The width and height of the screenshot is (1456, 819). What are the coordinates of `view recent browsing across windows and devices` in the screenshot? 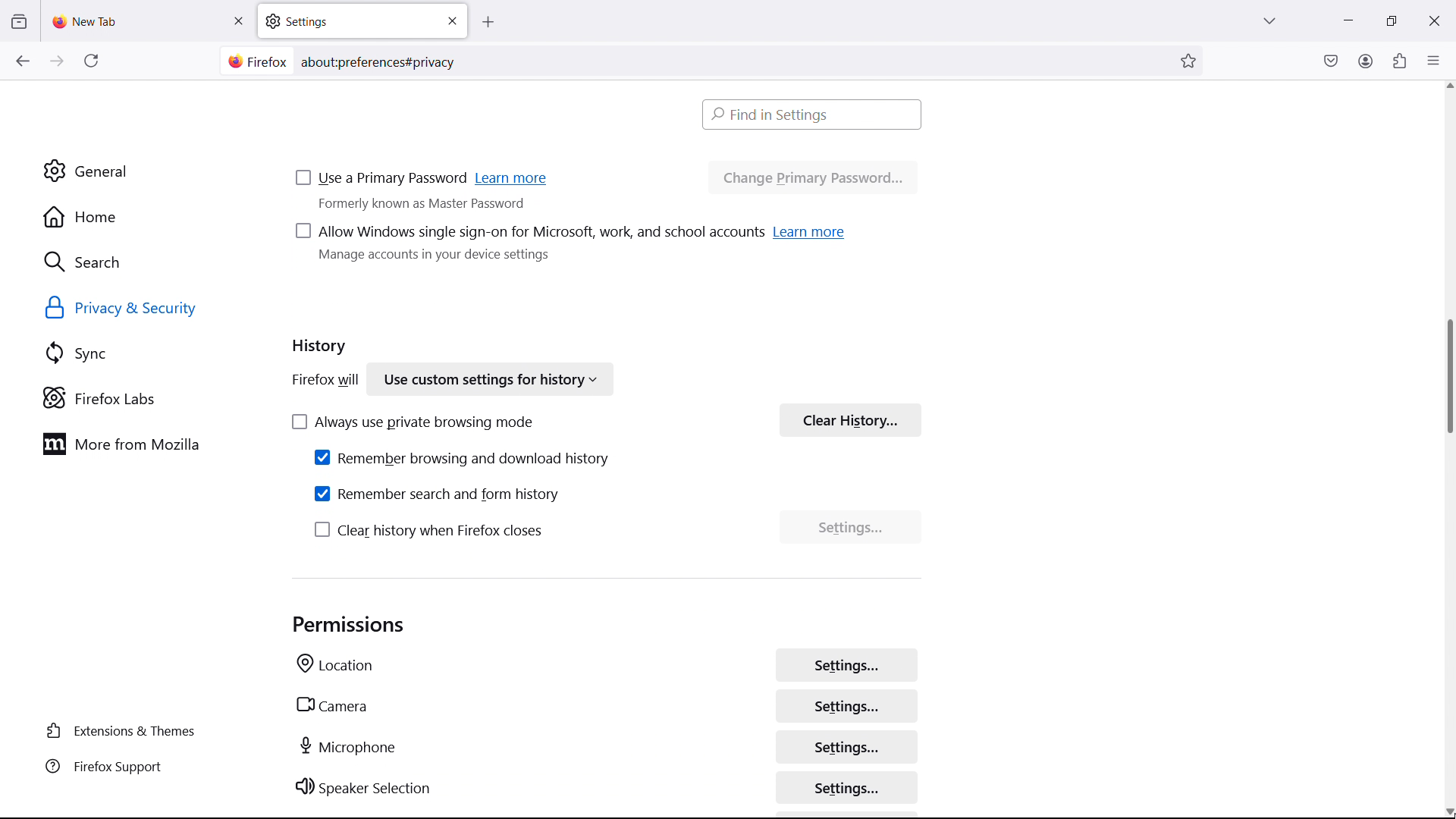 It's located at (18, 22).